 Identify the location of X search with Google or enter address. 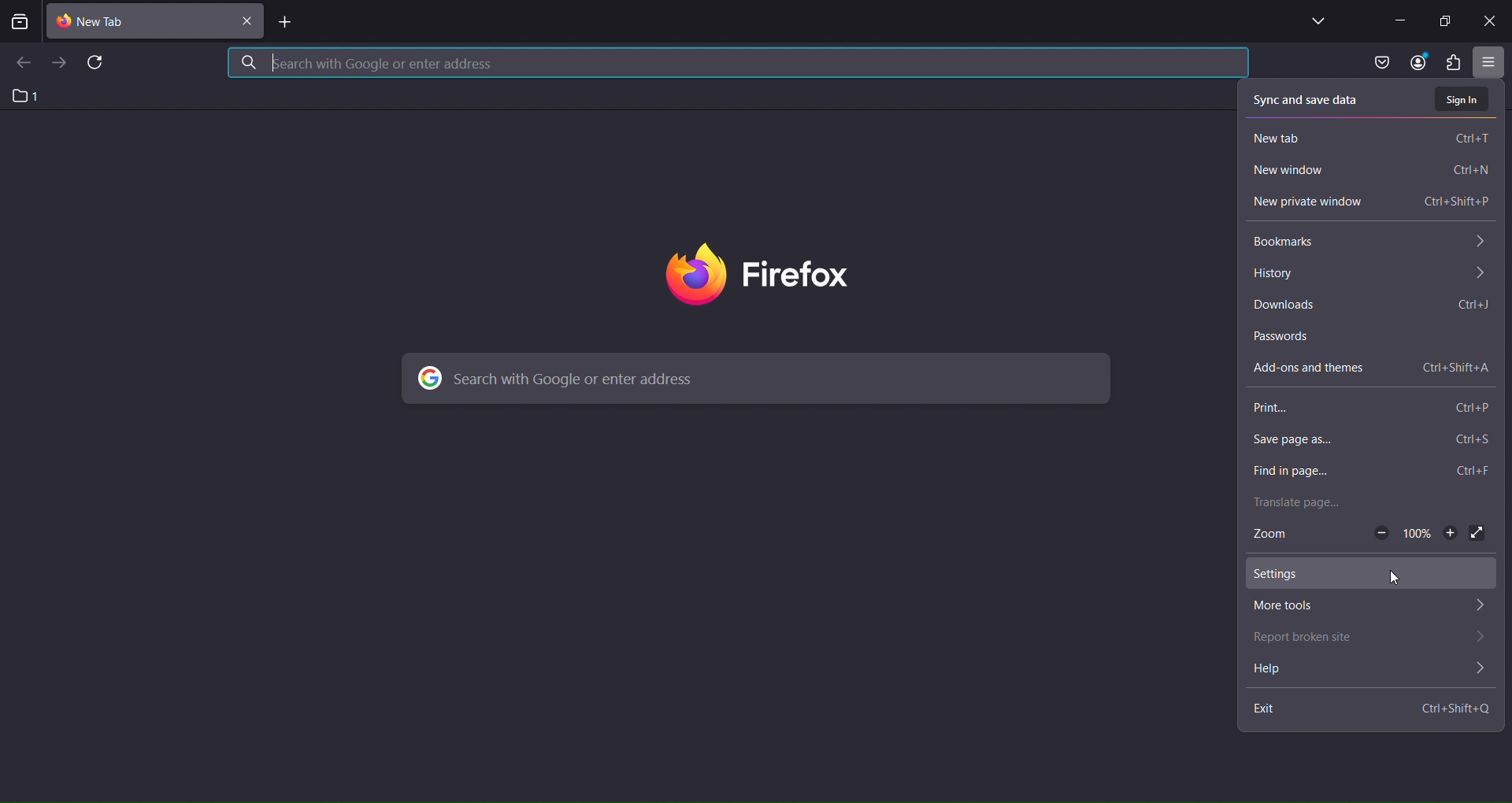
(366, 62).